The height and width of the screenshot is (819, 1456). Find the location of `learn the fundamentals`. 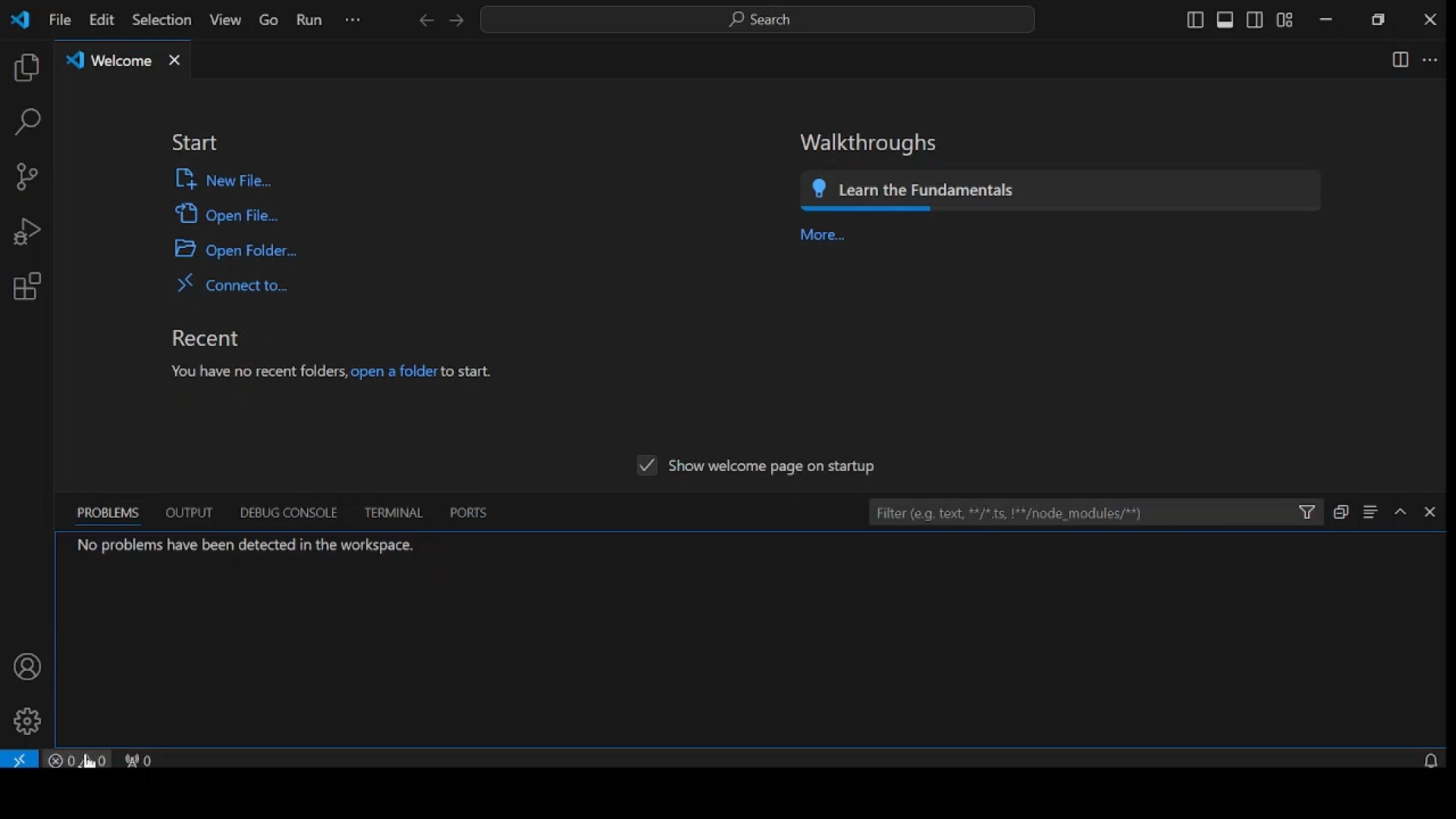

learn the fundamentals is located at coordinates (1065, 190).